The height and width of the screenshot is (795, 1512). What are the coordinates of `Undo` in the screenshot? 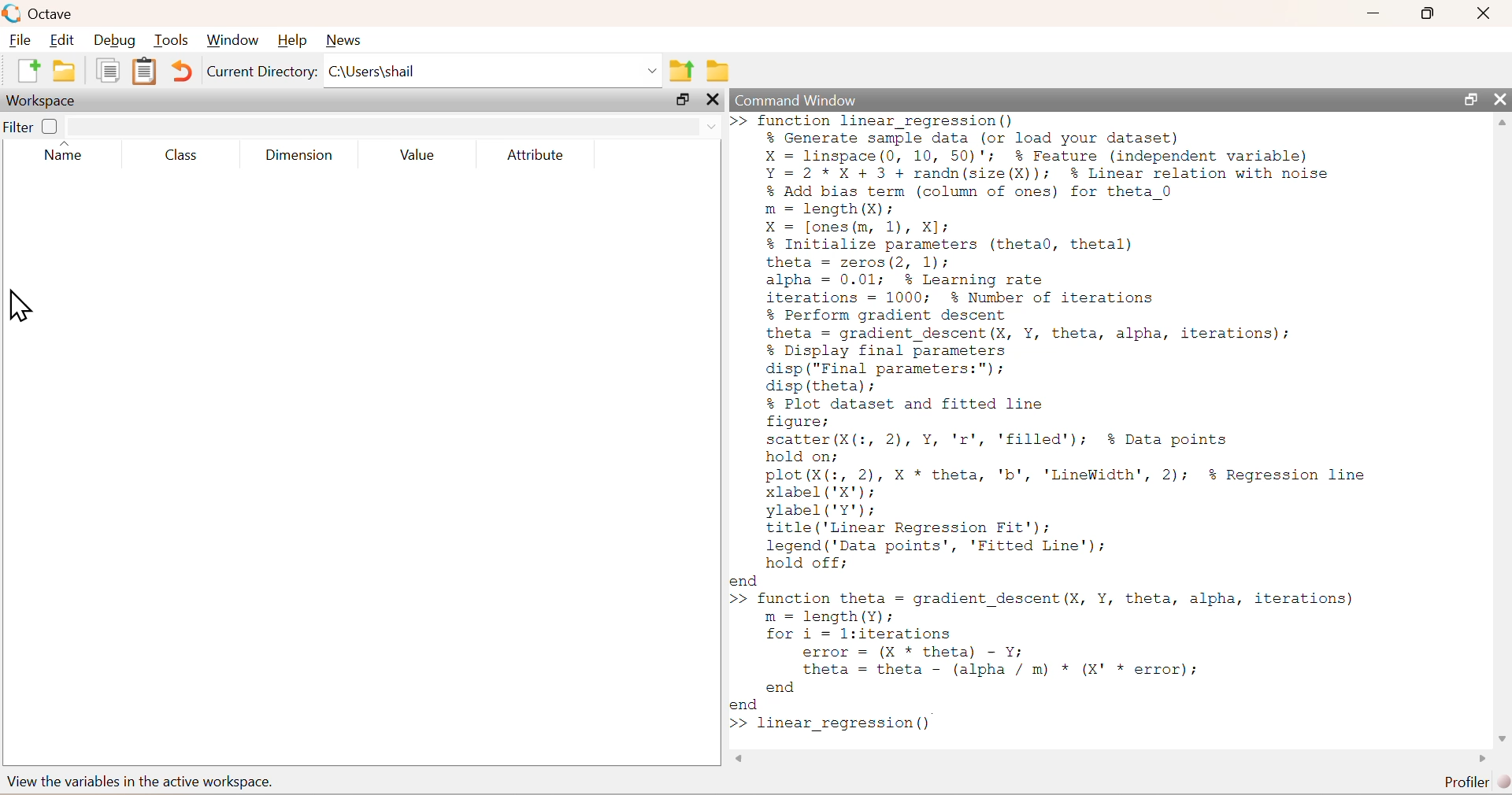 It's located at (181, 72).